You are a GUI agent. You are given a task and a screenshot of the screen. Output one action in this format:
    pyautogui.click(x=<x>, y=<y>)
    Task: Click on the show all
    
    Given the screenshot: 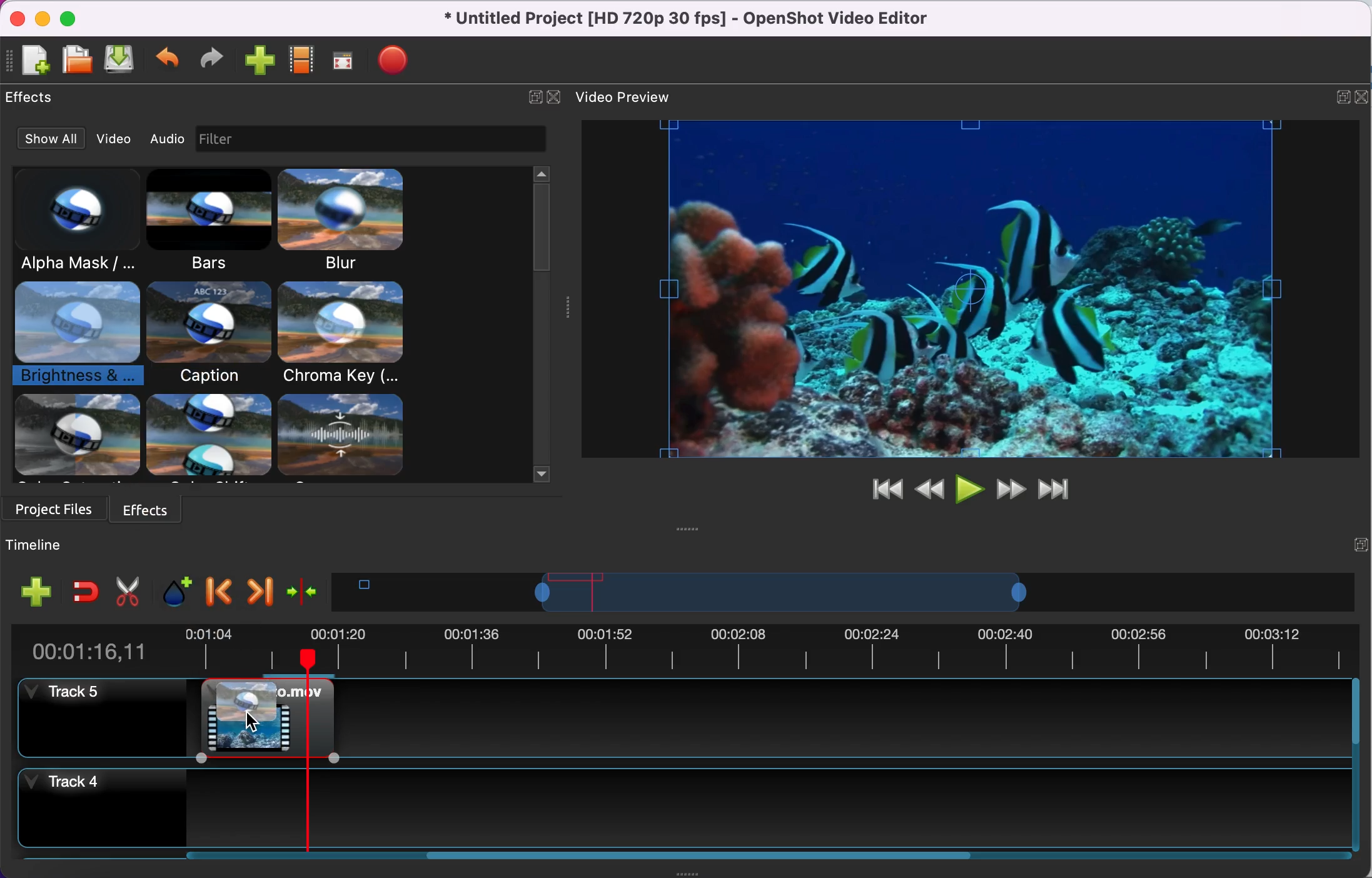 What is the action you would take?
    pyautogui.click(x=44, y=139)
    